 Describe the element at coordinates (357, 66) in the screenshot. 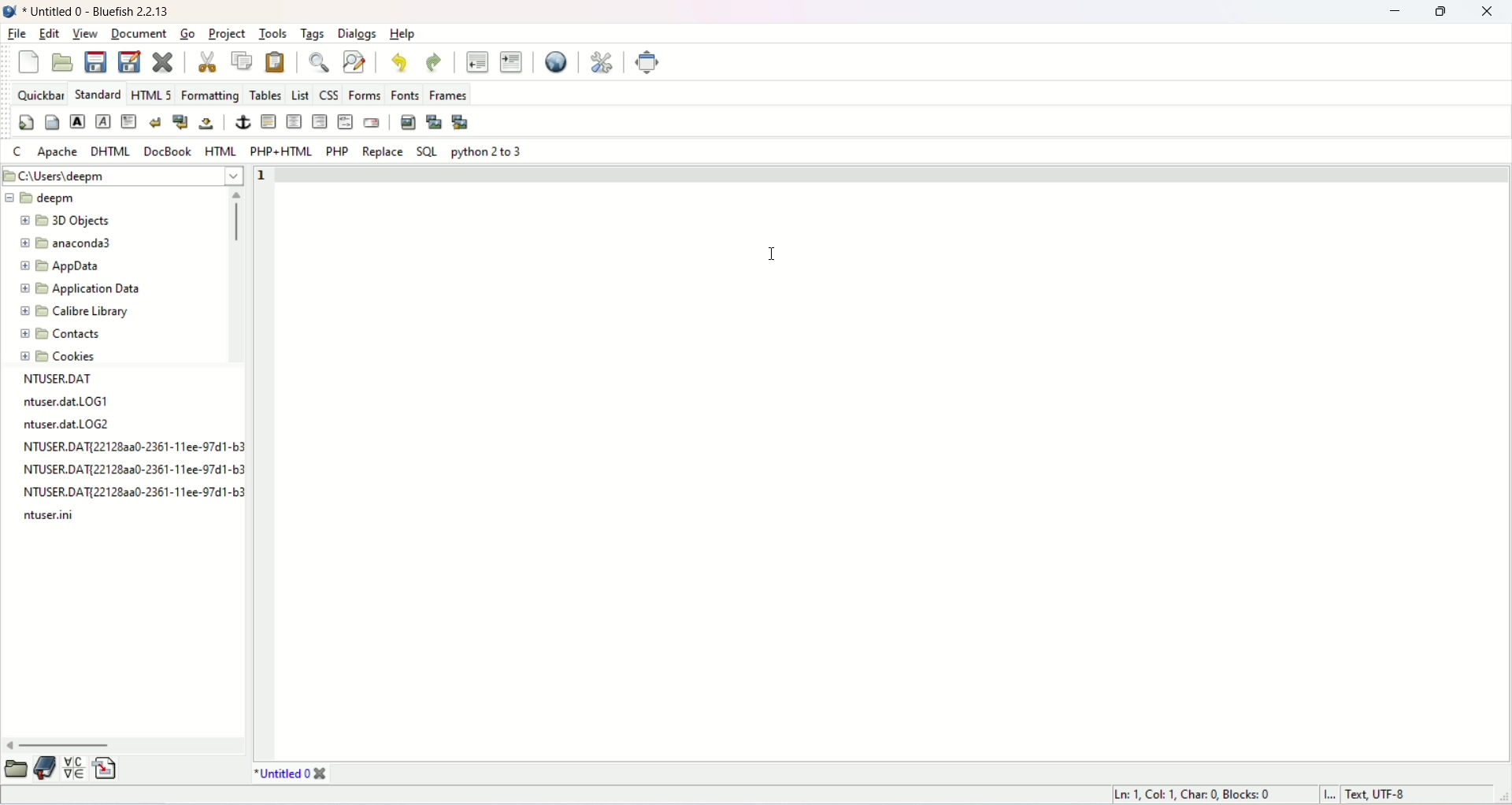

I see `advanced find and replace` at that location.